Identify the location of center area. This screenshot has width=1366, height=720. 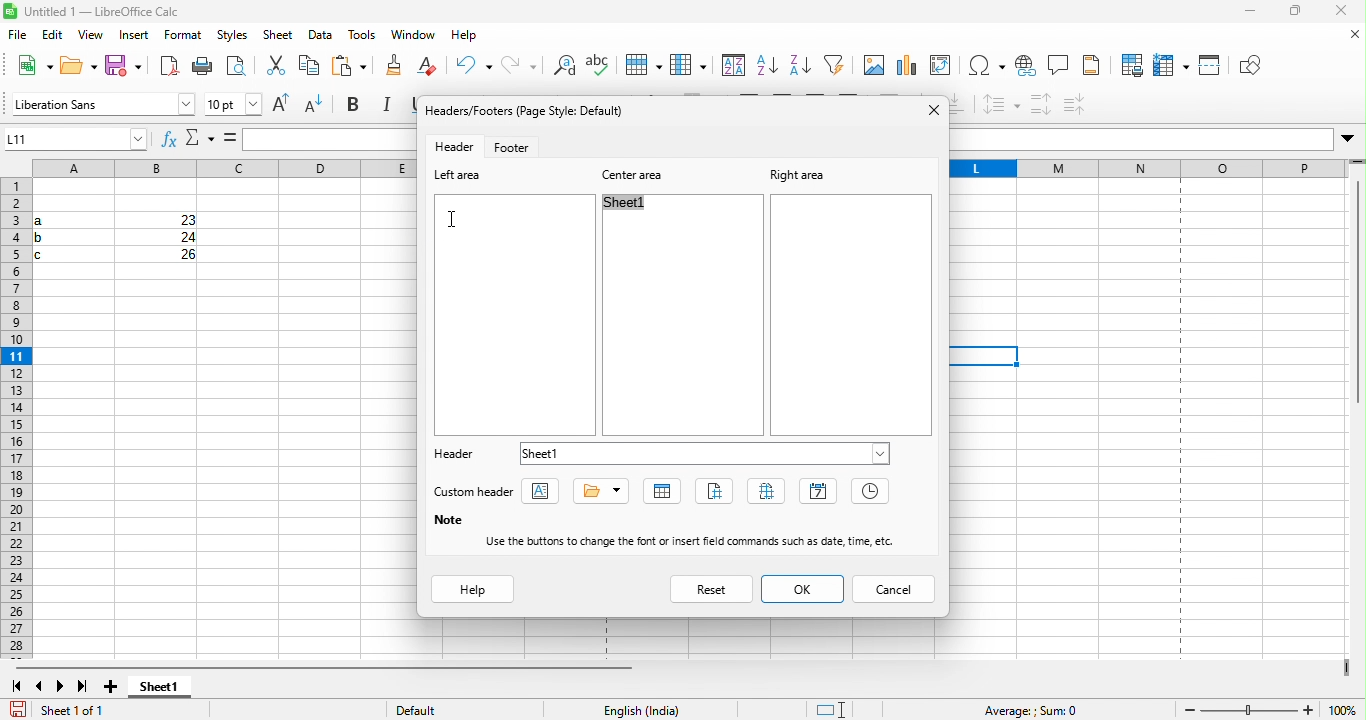
(637, 175).